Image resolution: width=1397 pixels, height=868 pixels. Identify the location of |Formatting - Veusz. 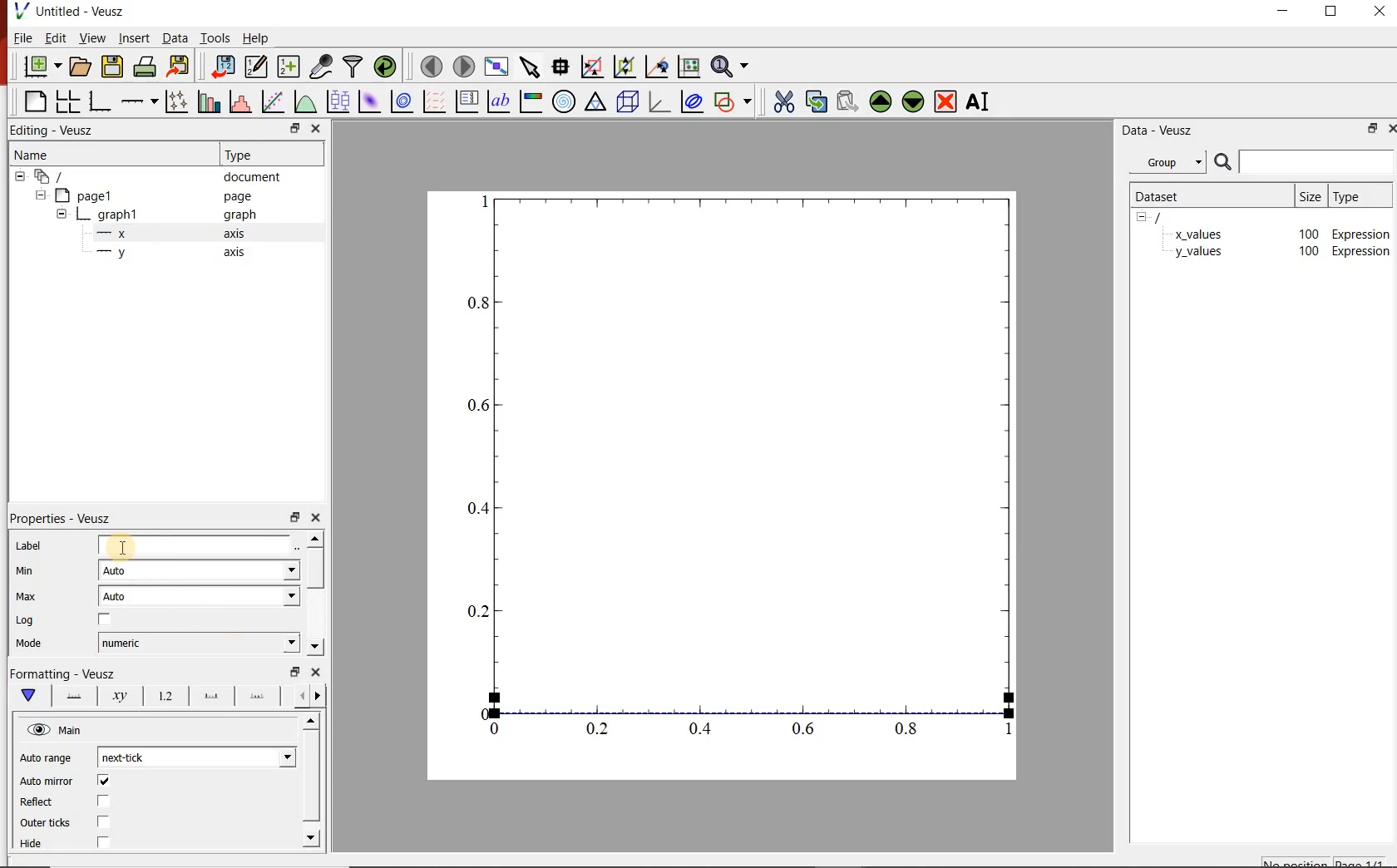
(71, 673).